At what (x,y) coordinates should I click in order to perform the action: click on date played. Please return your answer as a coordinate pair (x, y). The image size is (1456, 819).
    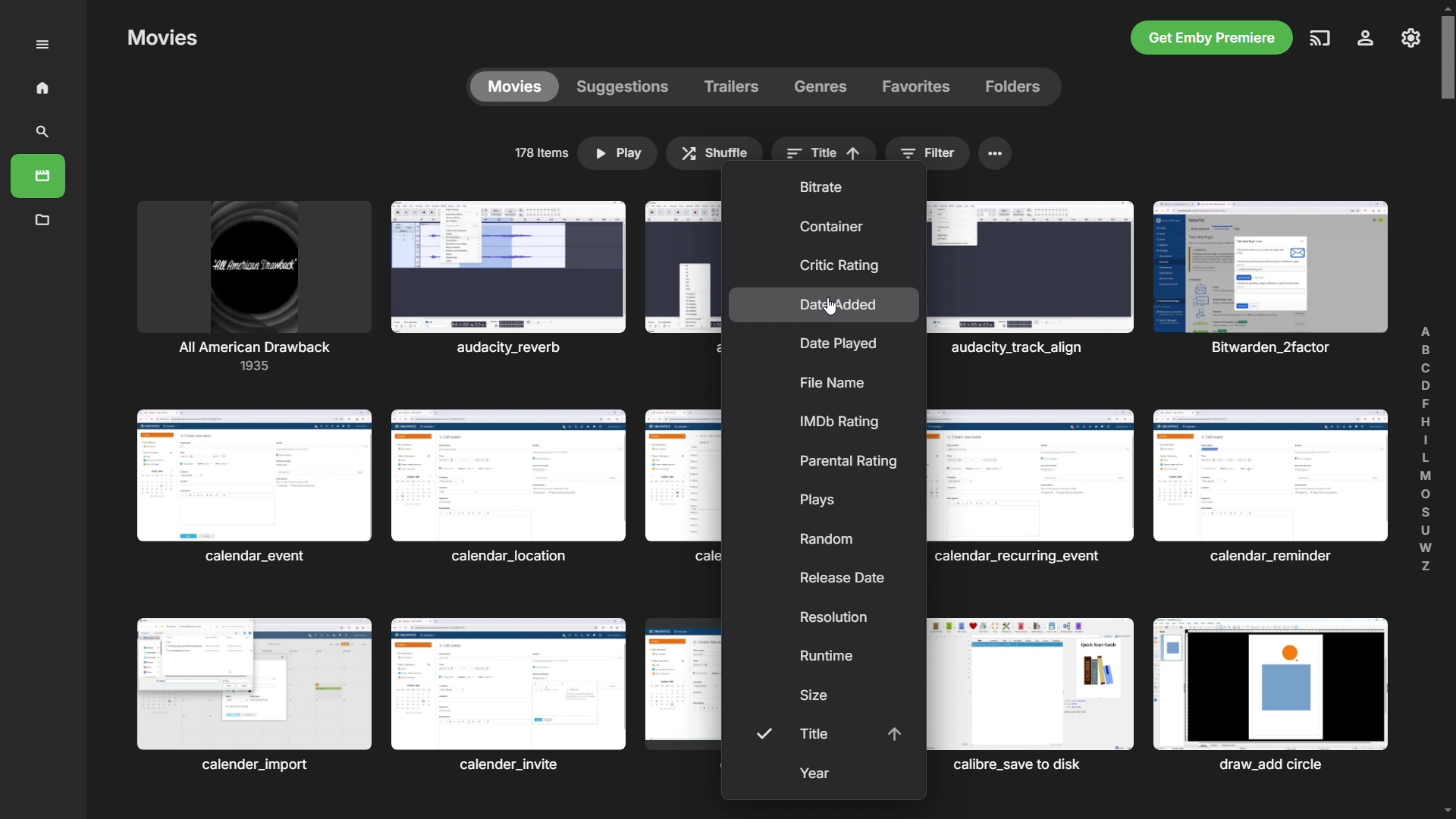
    Looking at the image, I should click on (824, 343).